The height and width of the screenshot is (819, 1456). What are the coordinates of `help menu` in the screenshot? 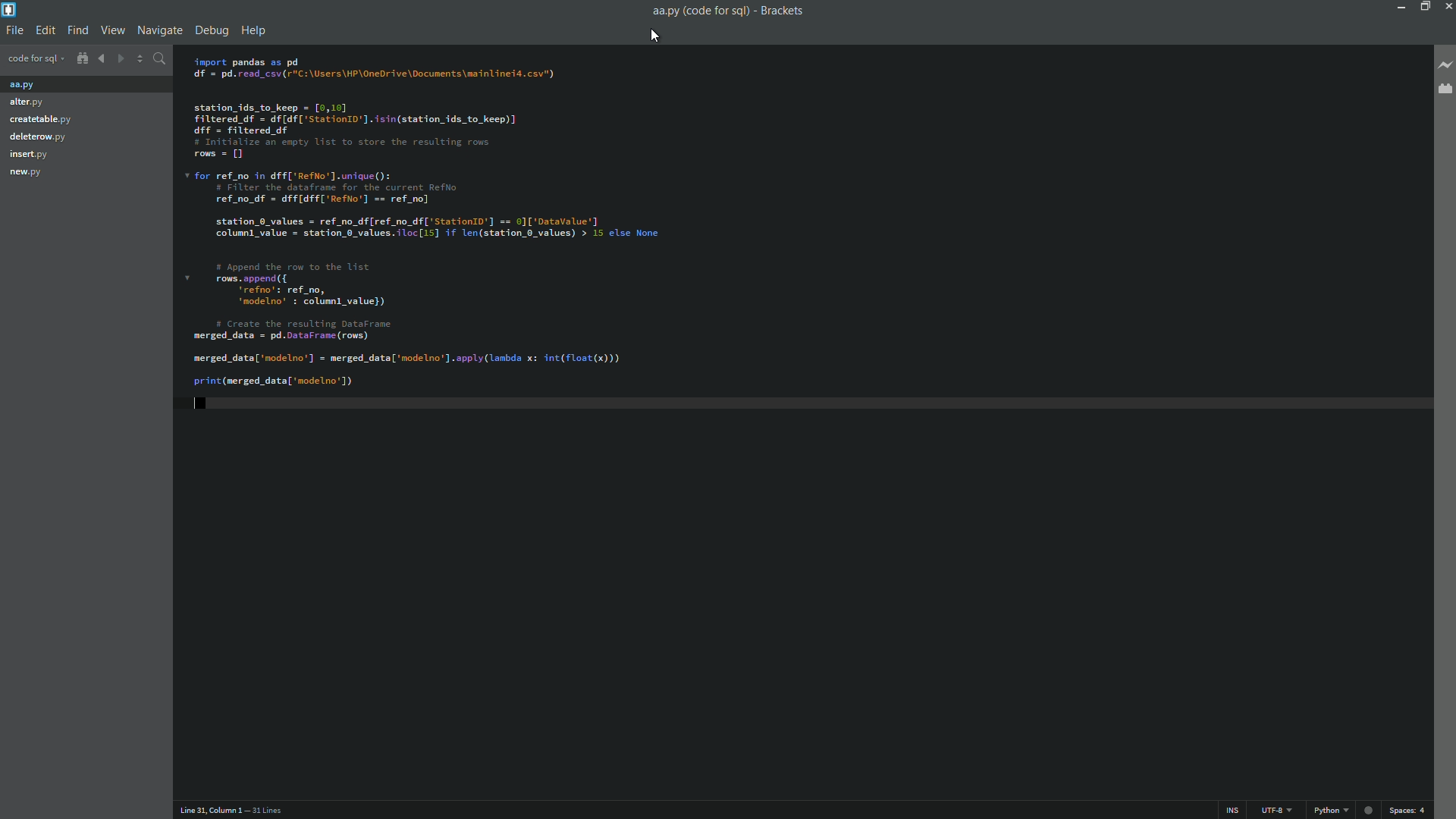 It's located at (253, 30).